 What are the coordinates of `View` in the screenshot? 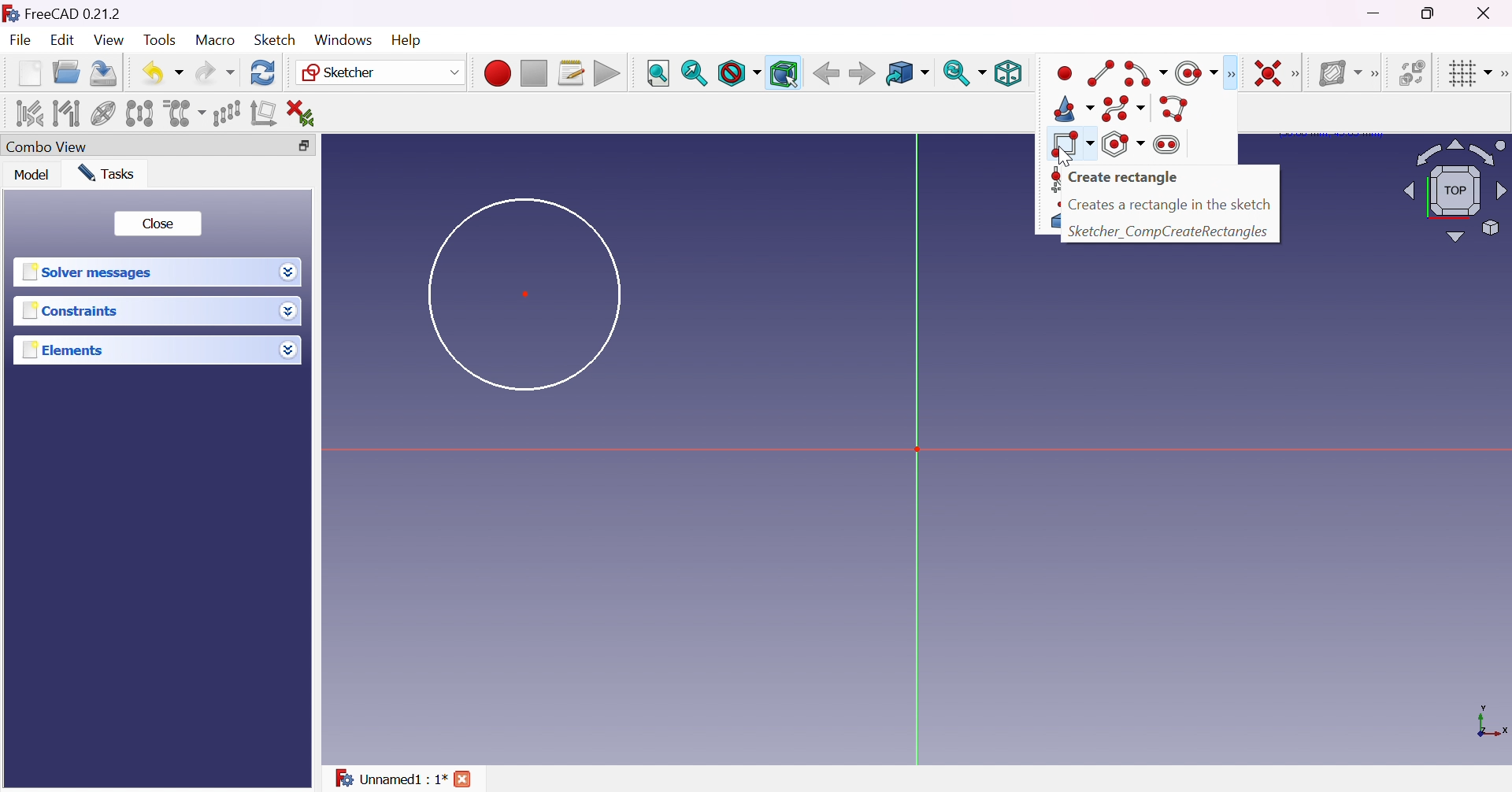 It's located at (110, 41).